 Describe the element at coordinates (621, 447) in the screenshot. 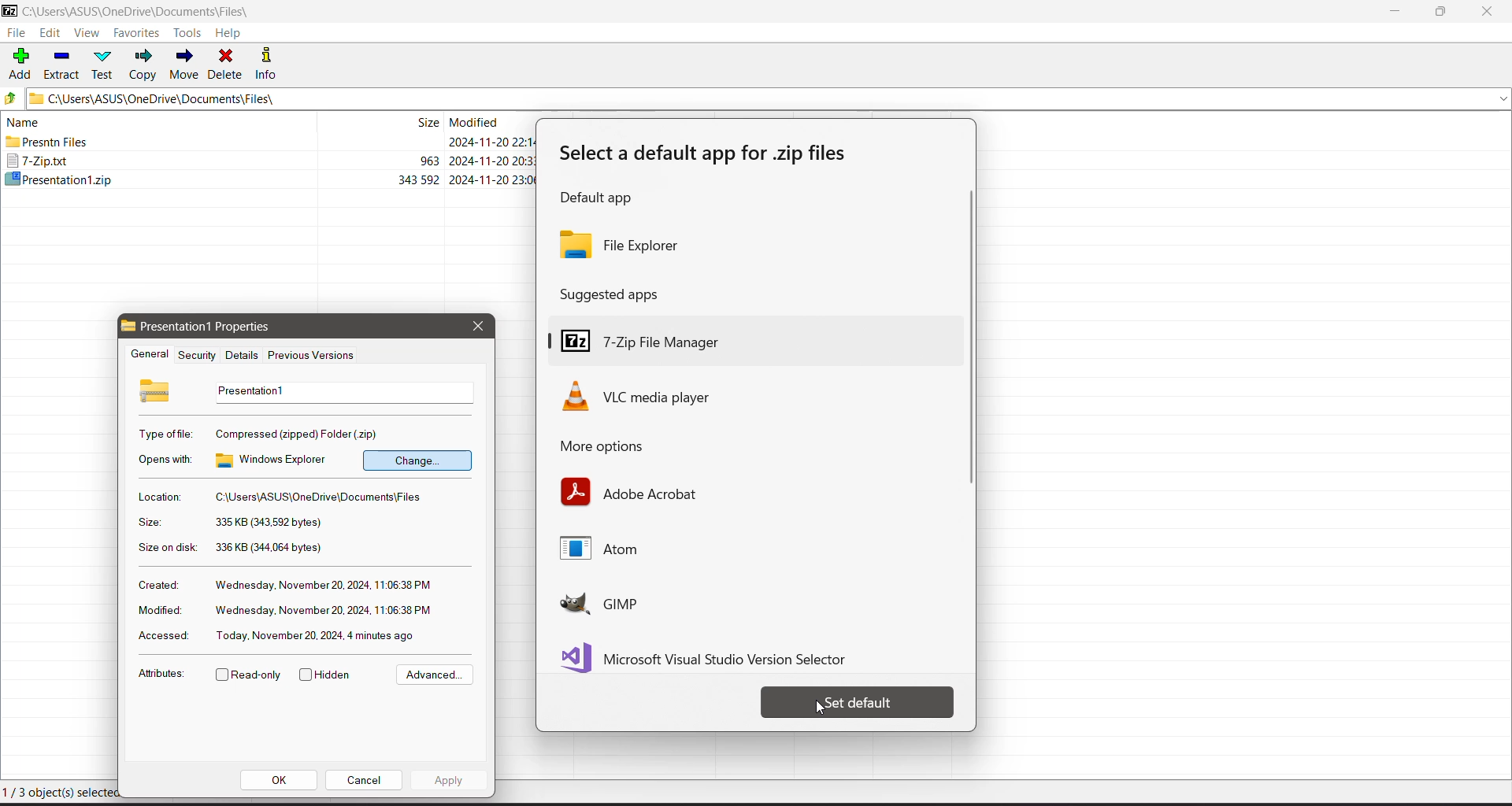

I see `More Options` at that location.